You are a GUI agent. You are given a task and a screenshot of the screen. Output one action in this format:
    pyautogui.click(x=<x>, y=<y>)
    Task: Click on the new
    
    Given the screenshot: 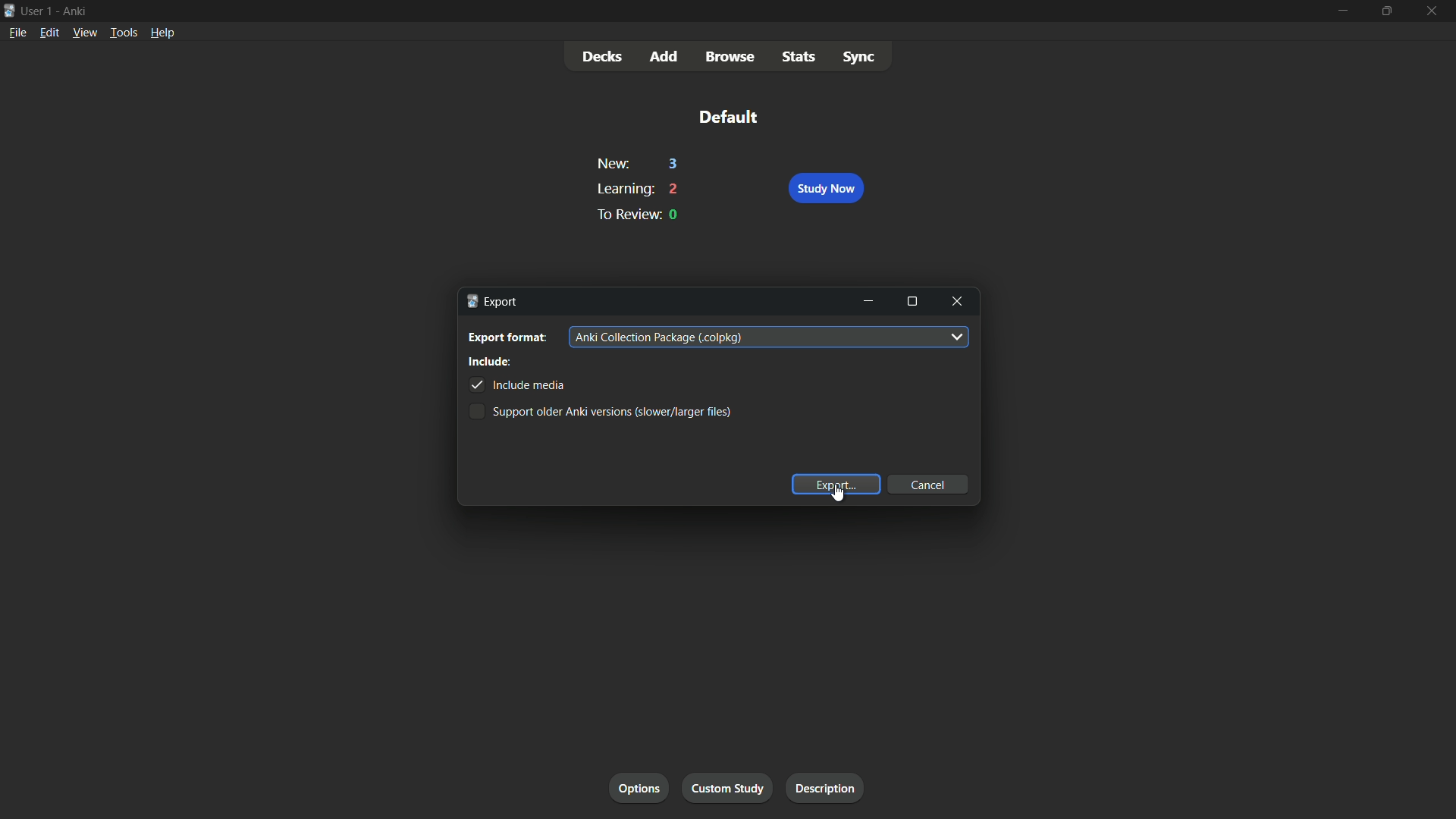 What is the action you would take?
    pyautogui.click(x=612, y=165)
    